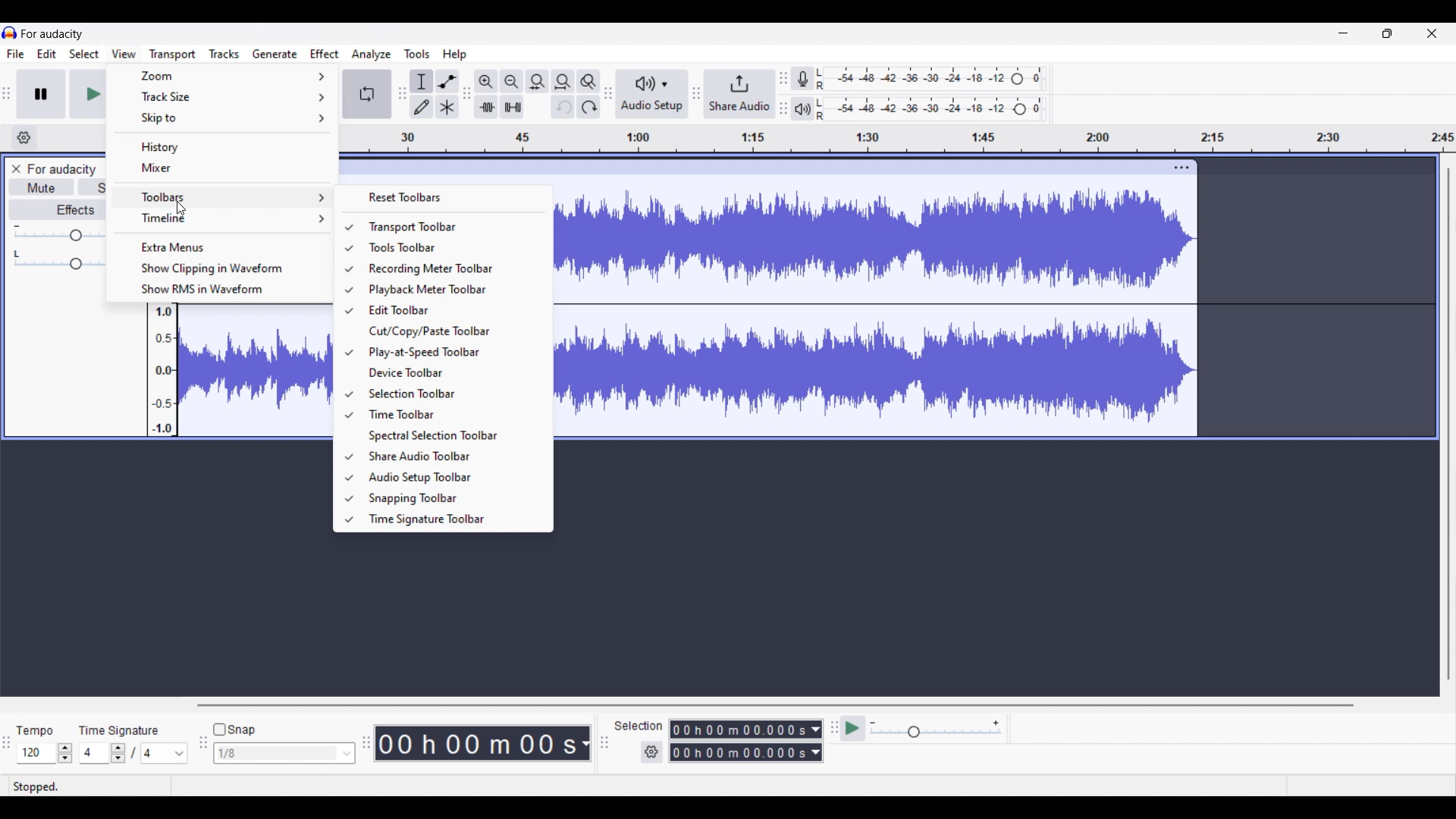 This screenshot has height=819, width=1456. Describe the element at coordinates (877, 308) in the screenshot. I see `track waveform` at that location.